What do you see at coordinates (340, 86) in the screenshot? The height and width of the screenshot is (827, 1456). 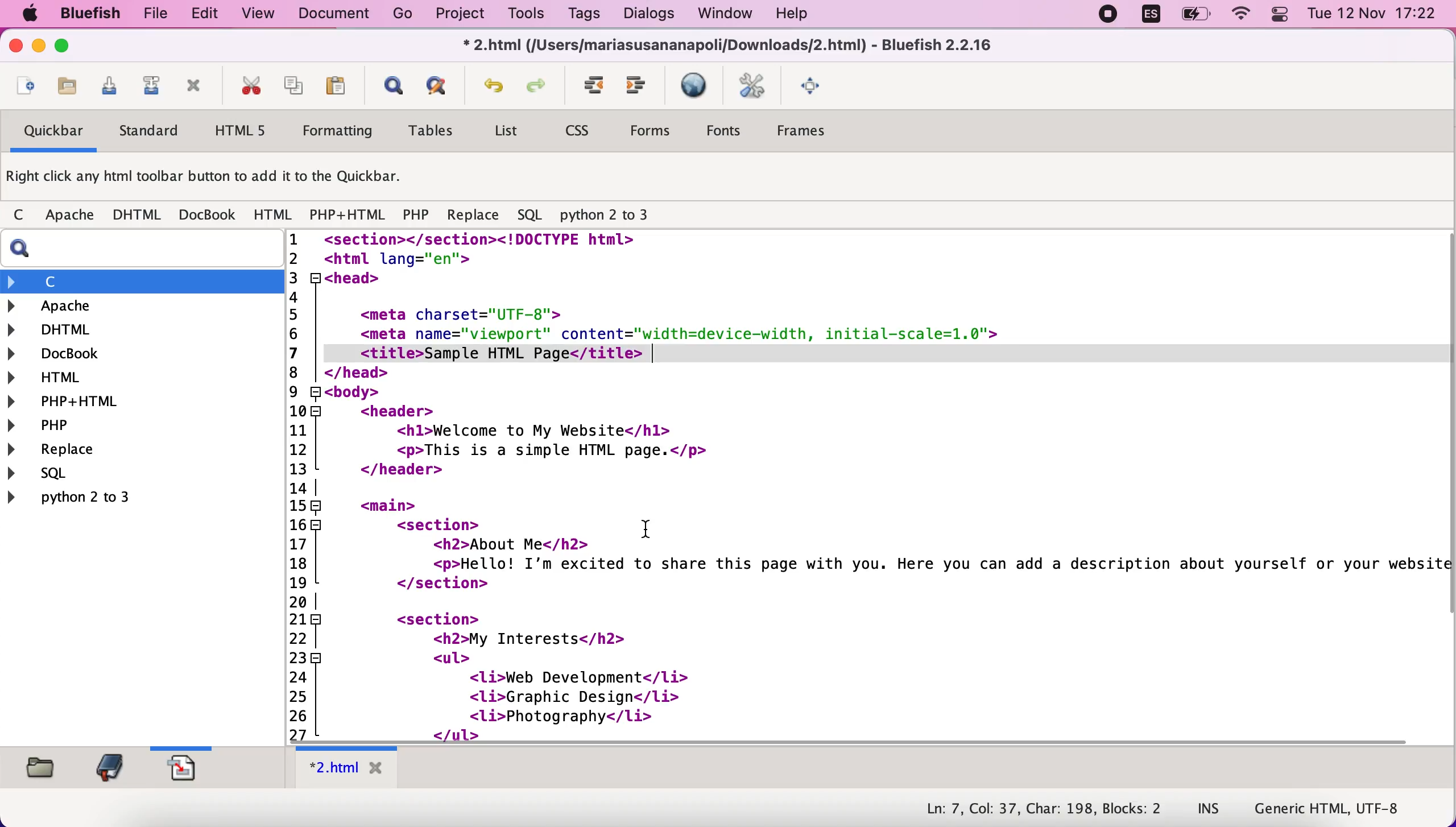 I see `paste` at bounding box center [340, 86].